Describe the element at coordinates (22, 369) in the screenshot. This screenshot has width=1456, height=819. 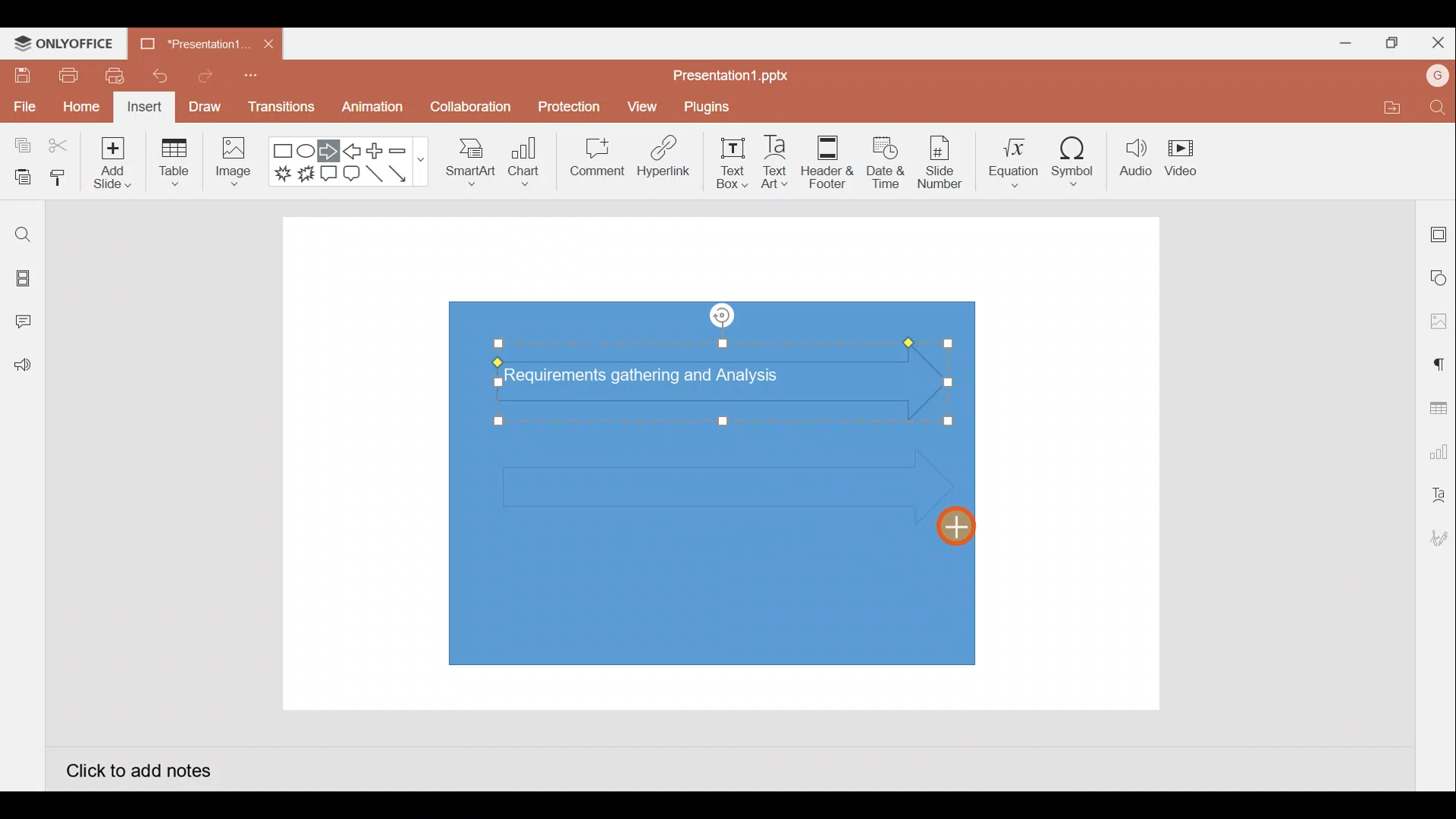
I see `Feedback and Support` at that location.